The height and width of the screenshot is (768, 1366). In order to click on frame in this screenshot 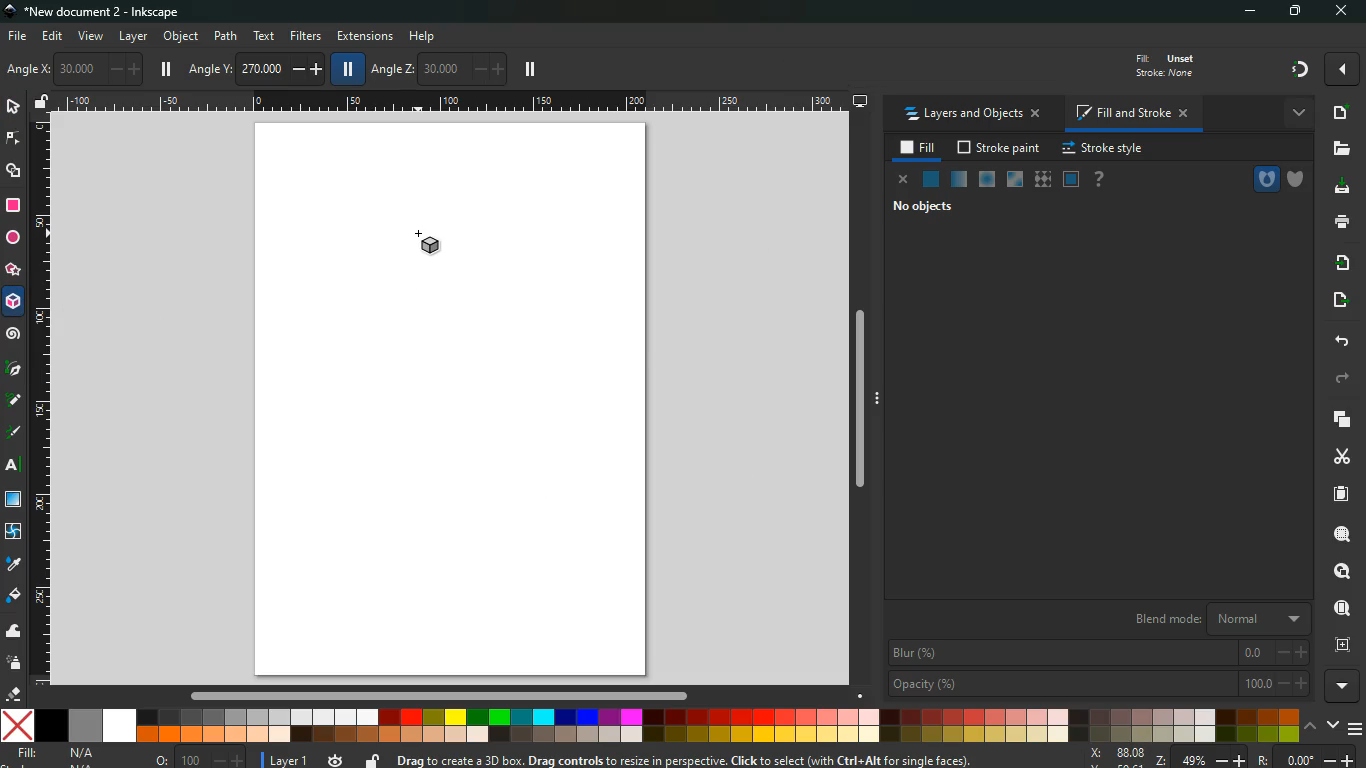, I will do `click(1071, 180)`.